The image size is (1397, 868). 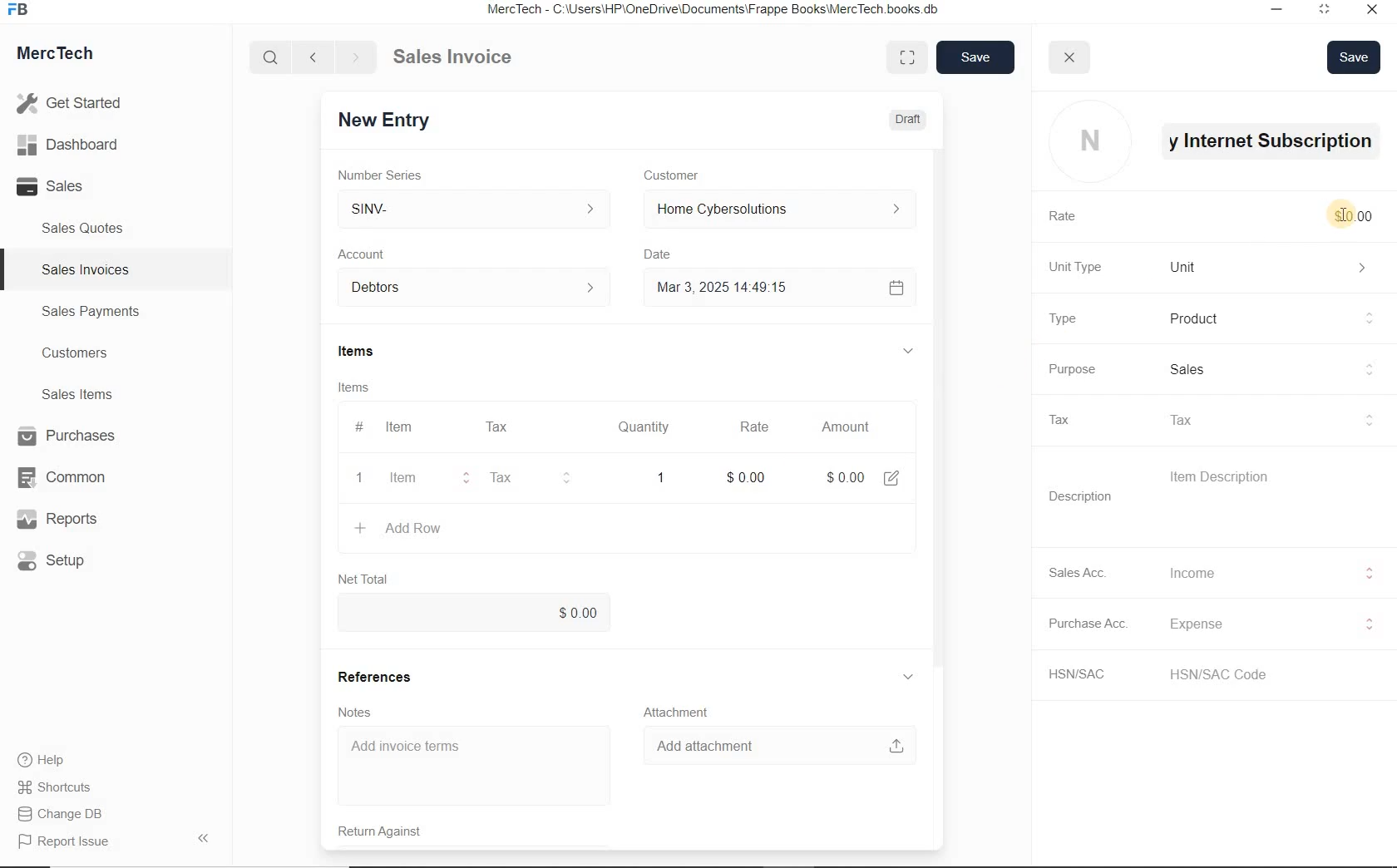 What do you see at coordinates (909, 677) in the screenshot?
I see `hide sub menu` at bounding box center [909, 677].